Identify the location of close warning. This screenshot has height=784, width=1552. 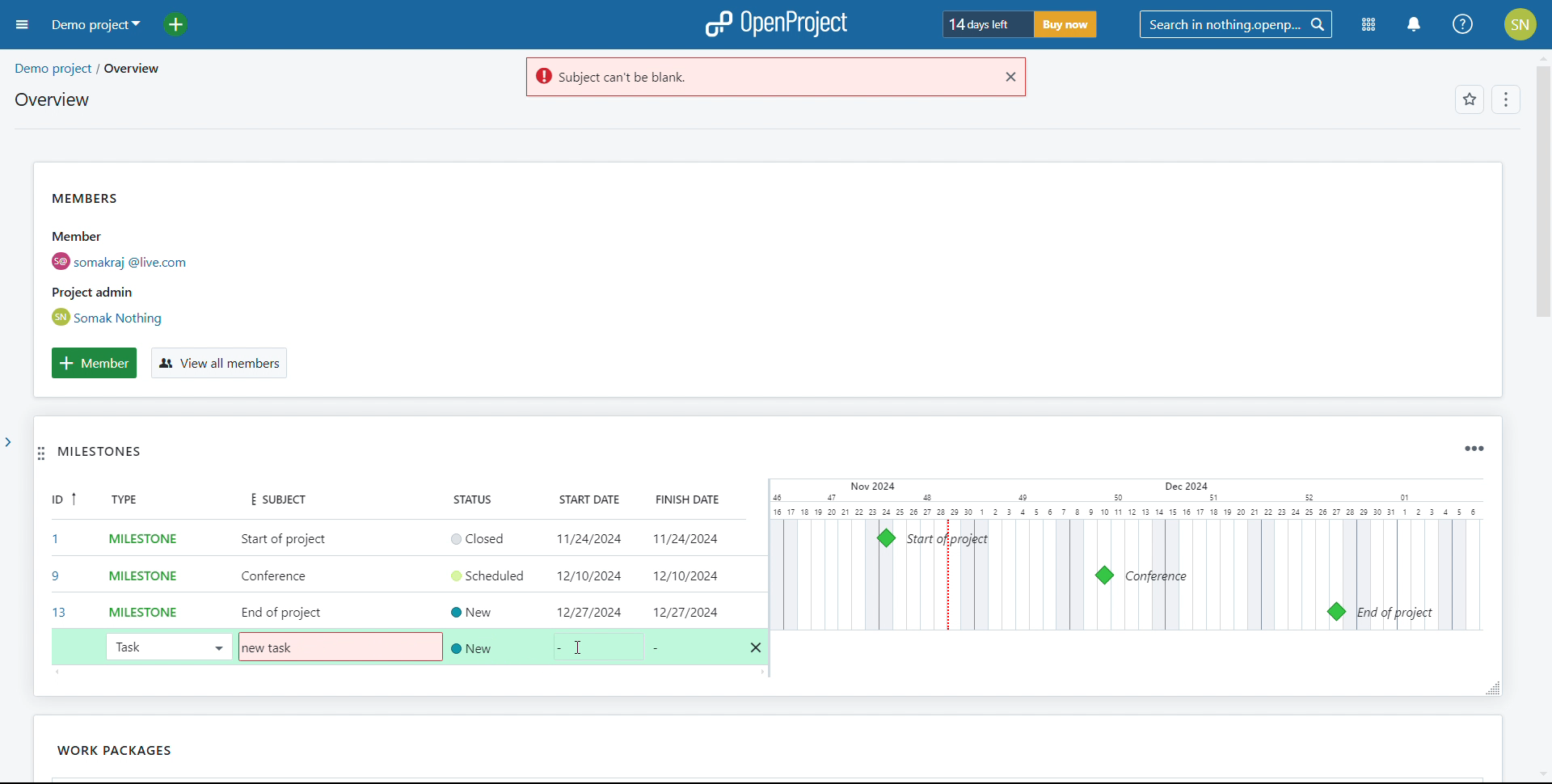
(1009, 77).